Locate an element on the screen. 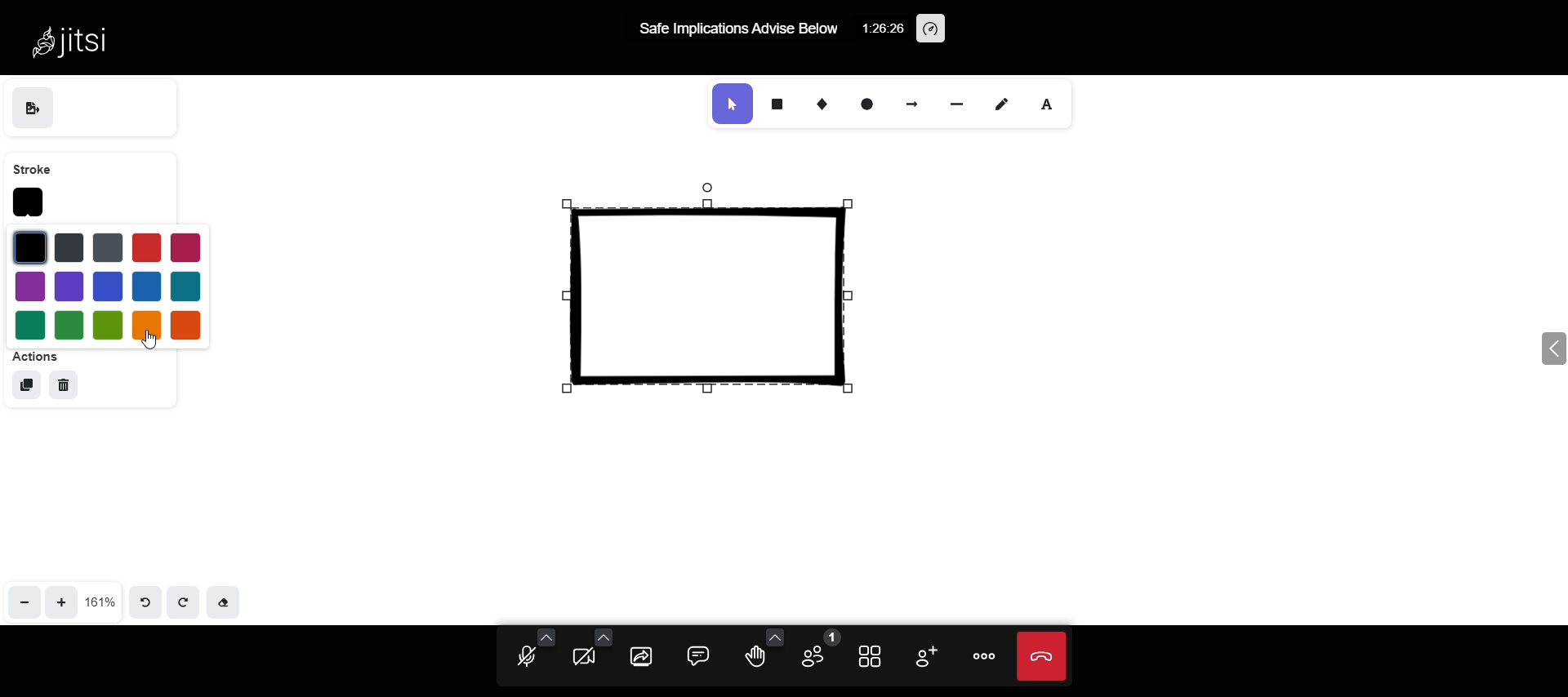  zoom out is located at coordinates (20, 604).